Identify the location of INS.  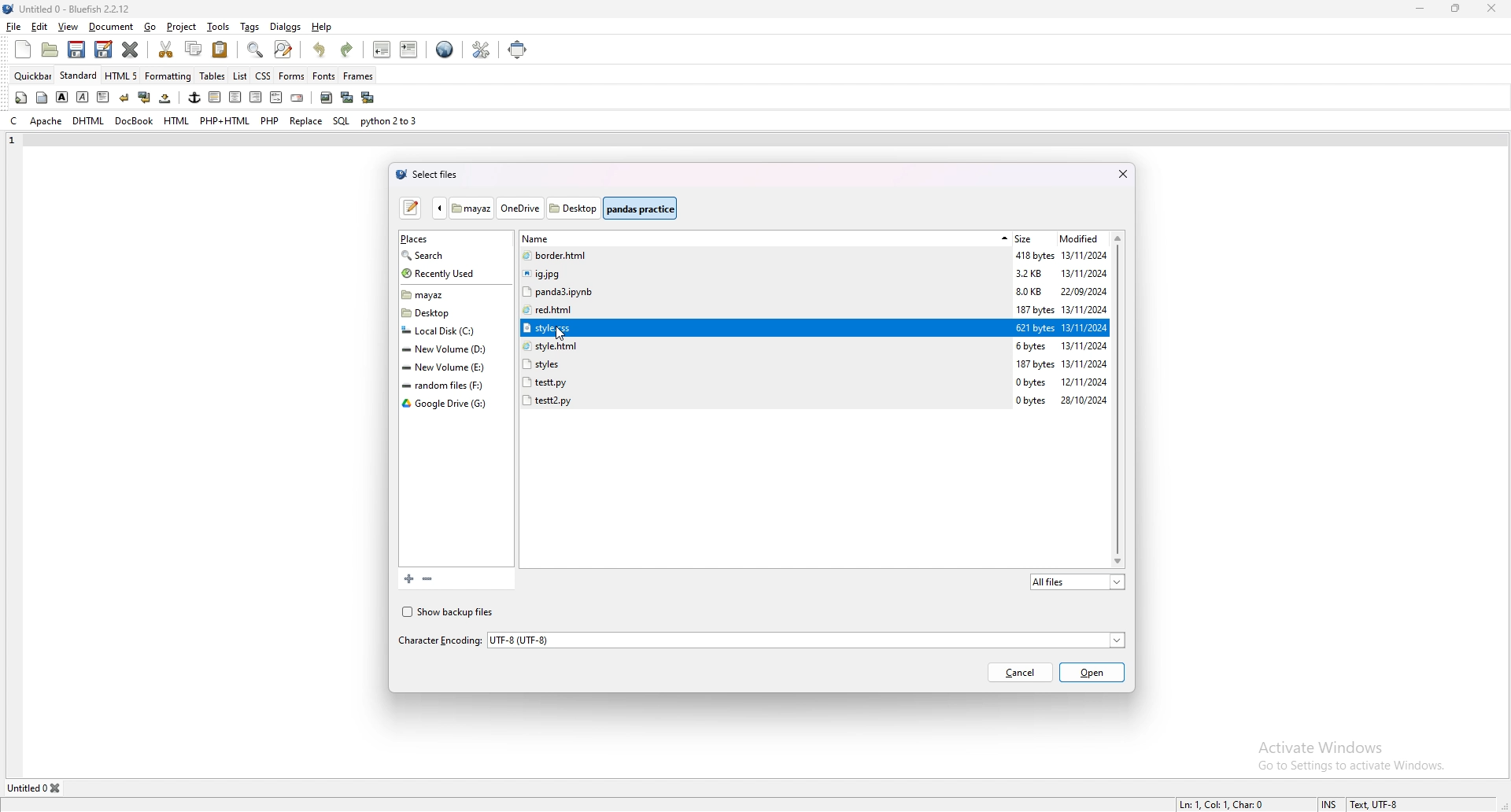
(1332, 804).